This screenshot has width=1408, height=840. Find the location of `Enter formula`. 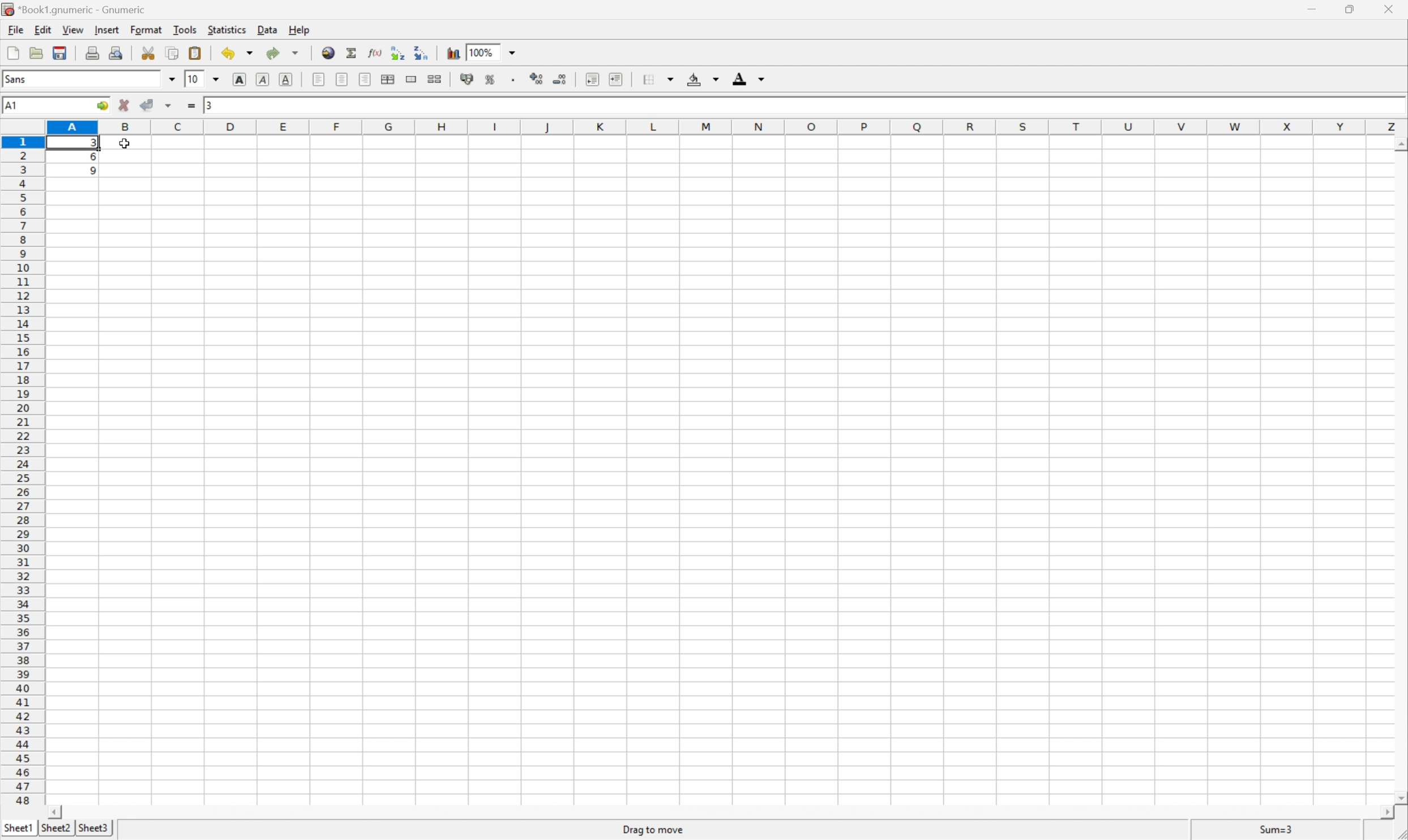

Enter formula is located at coordinates (190, 106).